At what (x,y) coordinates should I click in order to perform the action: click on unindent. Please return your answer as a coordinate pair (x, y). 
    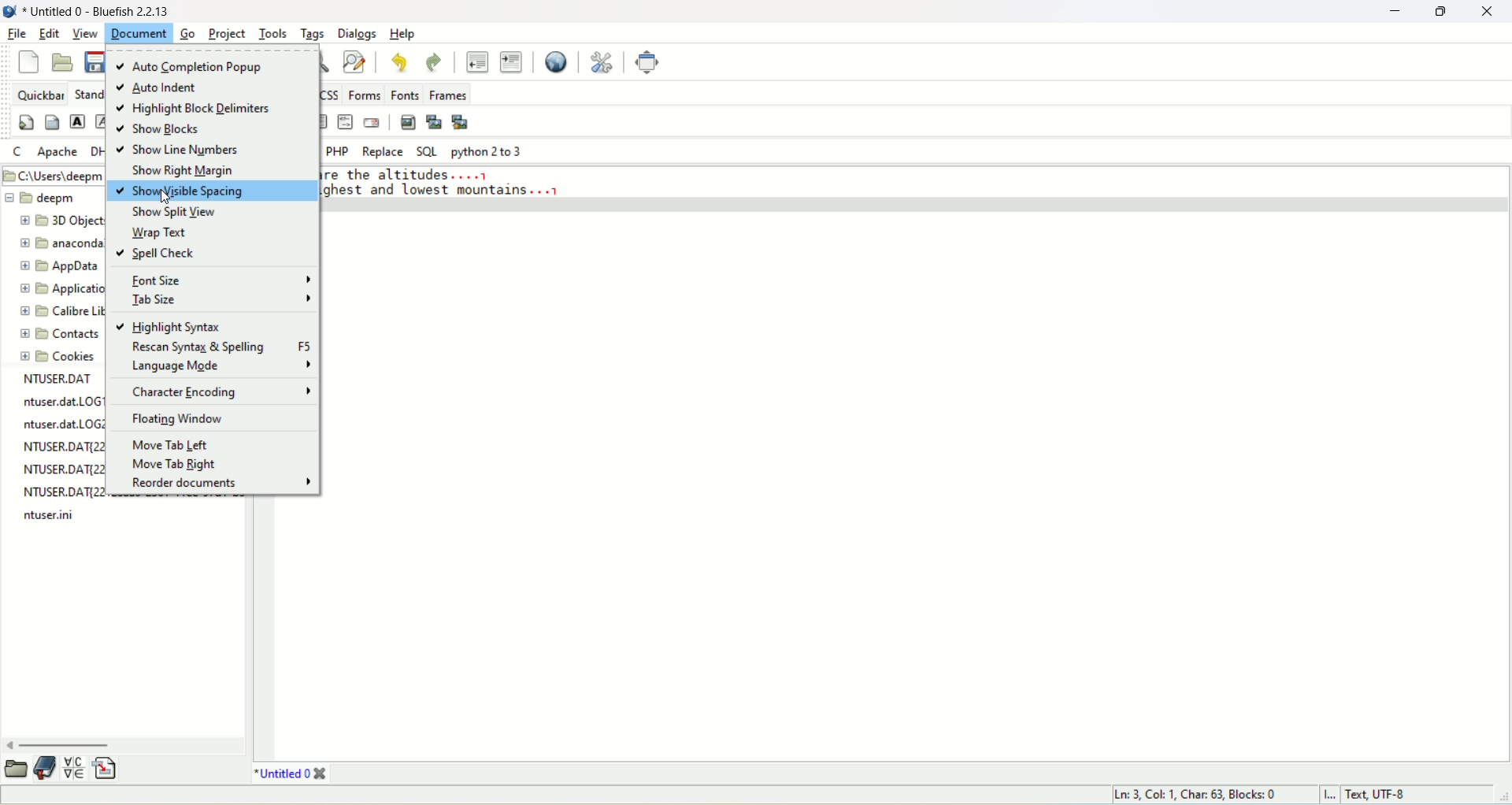
    Looking at the image, I should click on (476, 61).